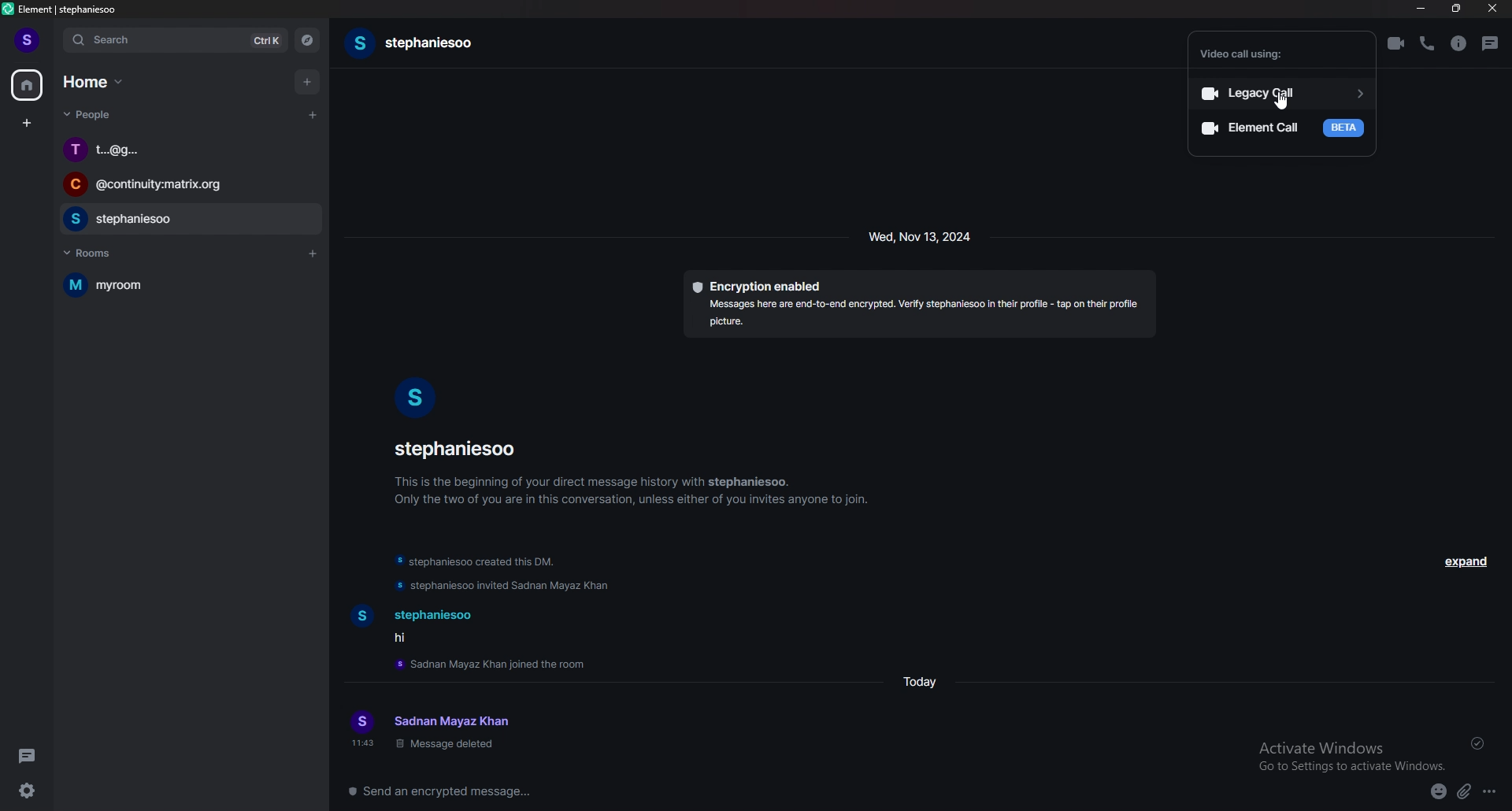  I want to click on text, so click(423, 626).